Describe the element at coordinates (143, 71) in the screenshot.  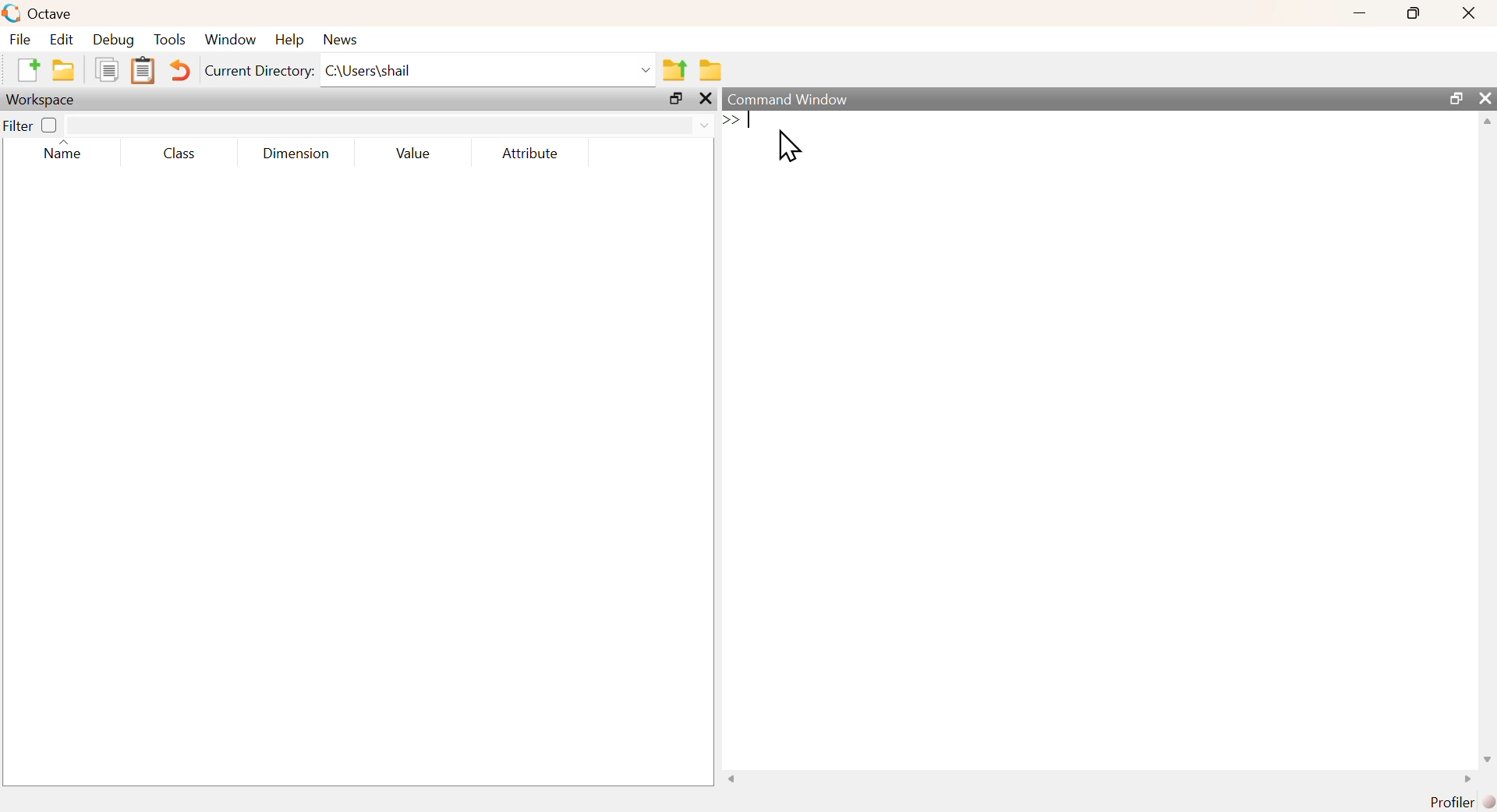
I see `Paste` at that location.